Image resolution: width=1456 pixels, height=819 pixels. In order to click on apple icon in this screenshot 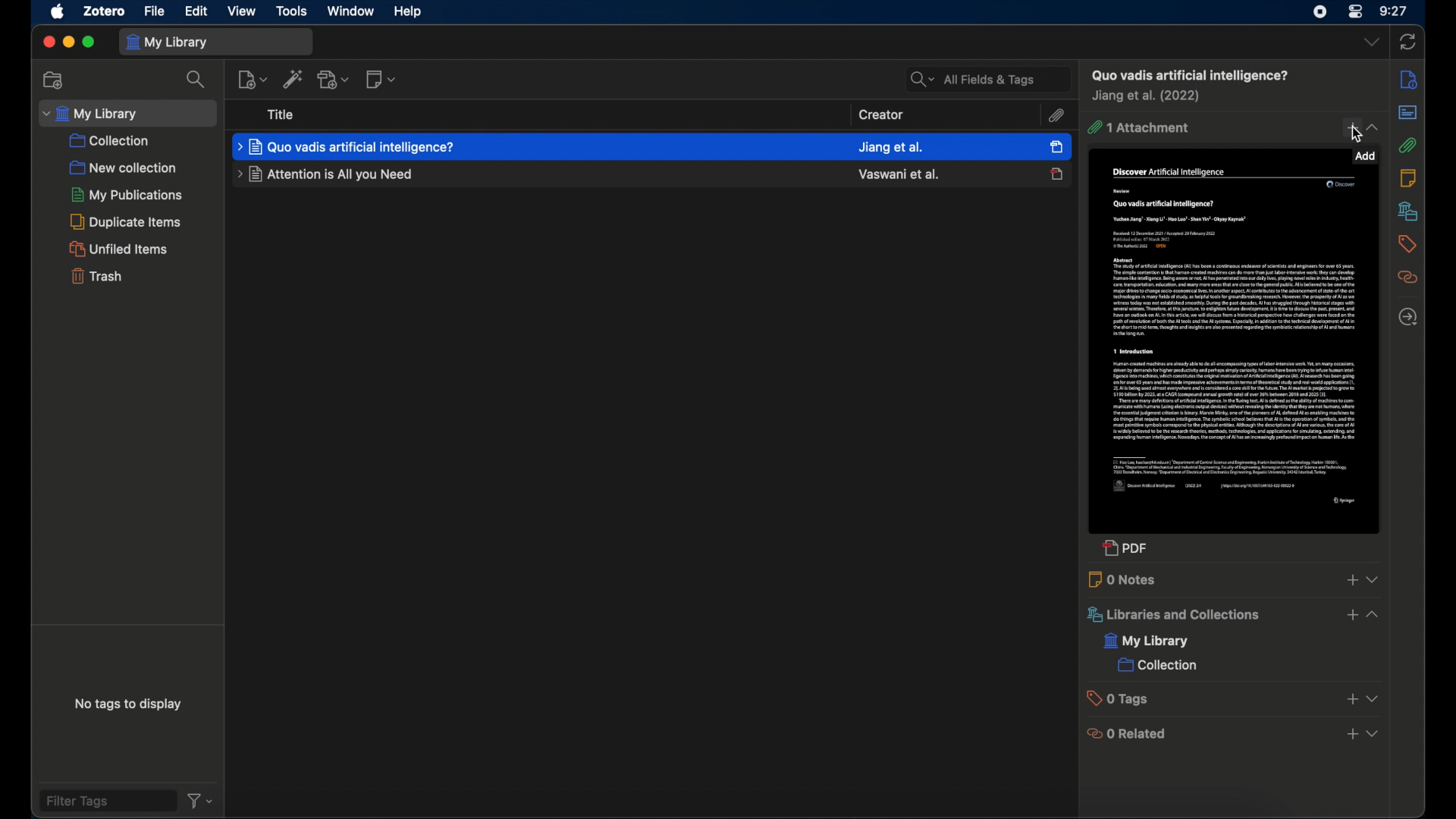, I will do `click(58, 12)`.